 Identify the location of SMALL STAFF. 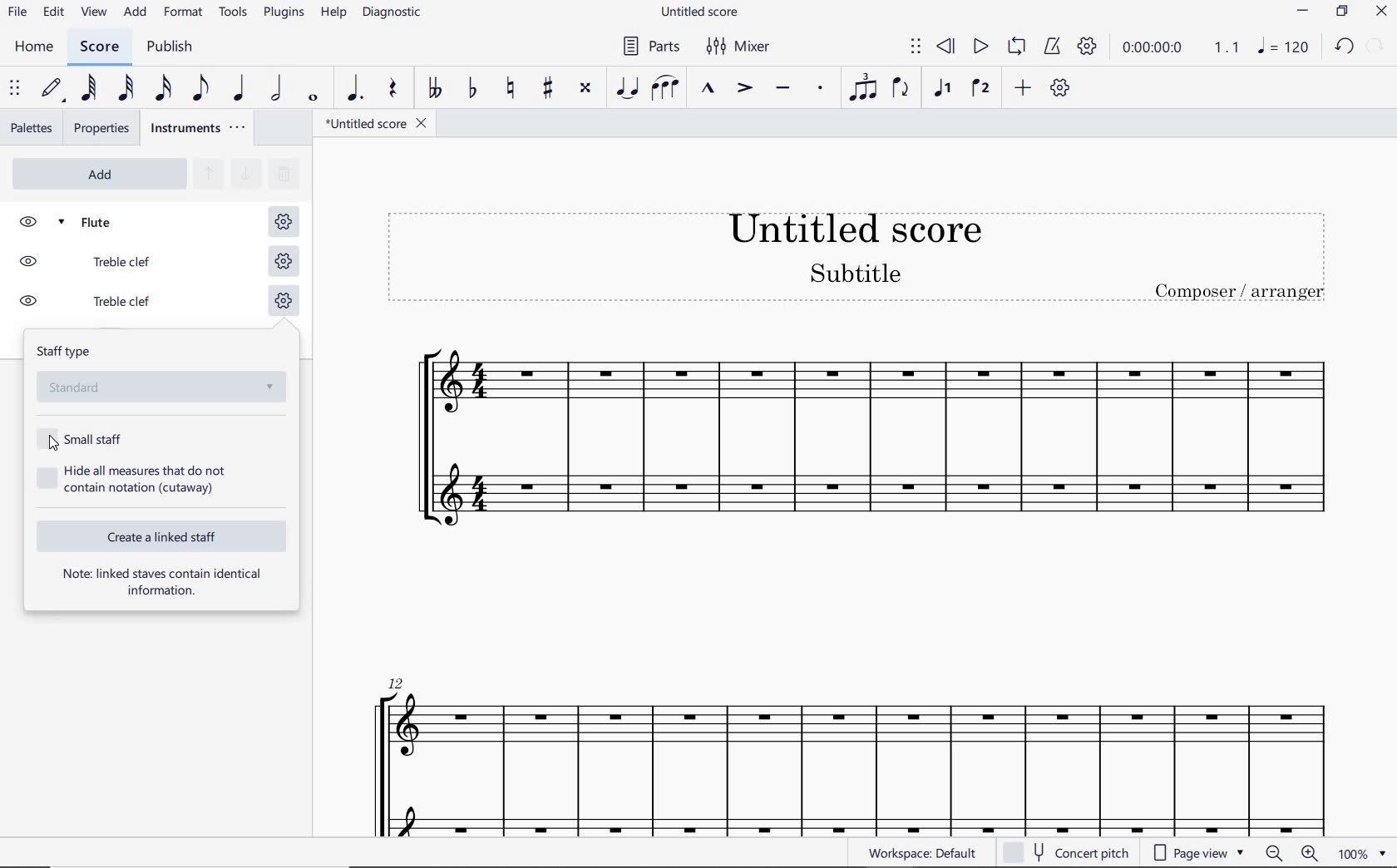
(80, 438).